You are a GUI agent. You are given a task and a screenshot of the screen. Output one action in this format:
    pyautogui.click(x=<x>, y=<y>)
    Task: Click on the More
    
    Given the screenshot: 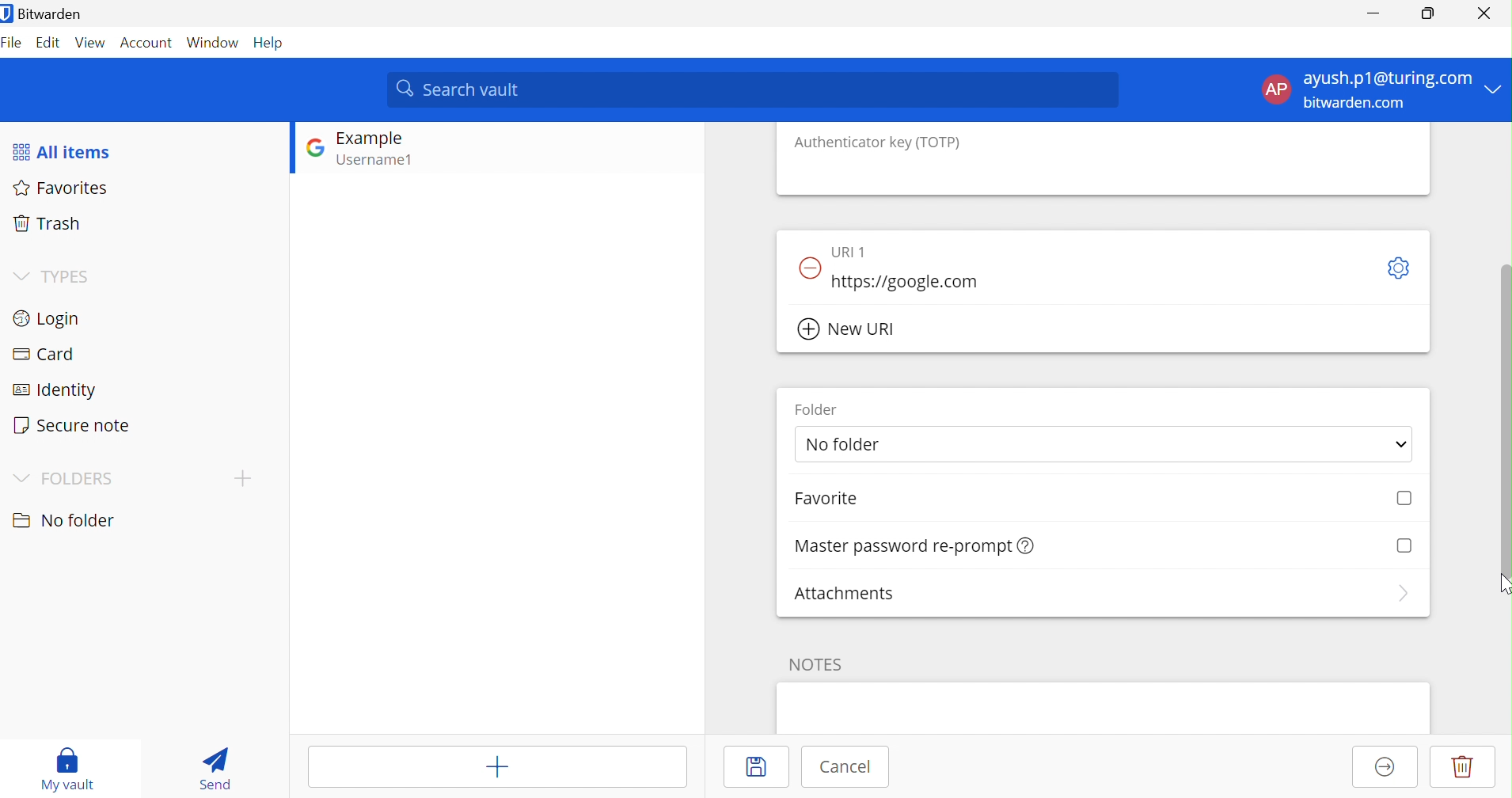 What is the action you would take?
    pyautogui.click(x=1401, y=594)
    